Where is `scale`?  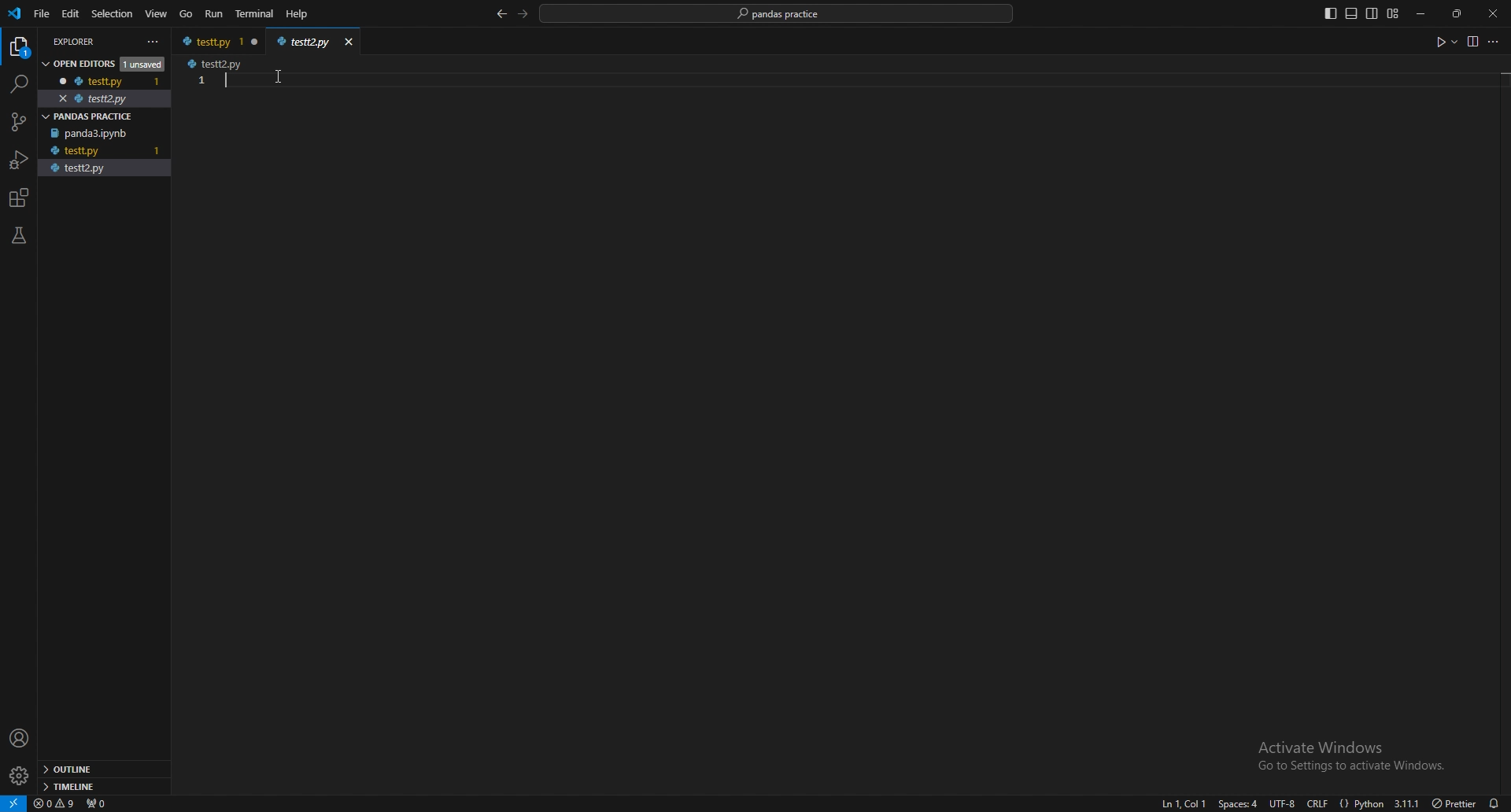
scale is located at coordinates (201, 94).